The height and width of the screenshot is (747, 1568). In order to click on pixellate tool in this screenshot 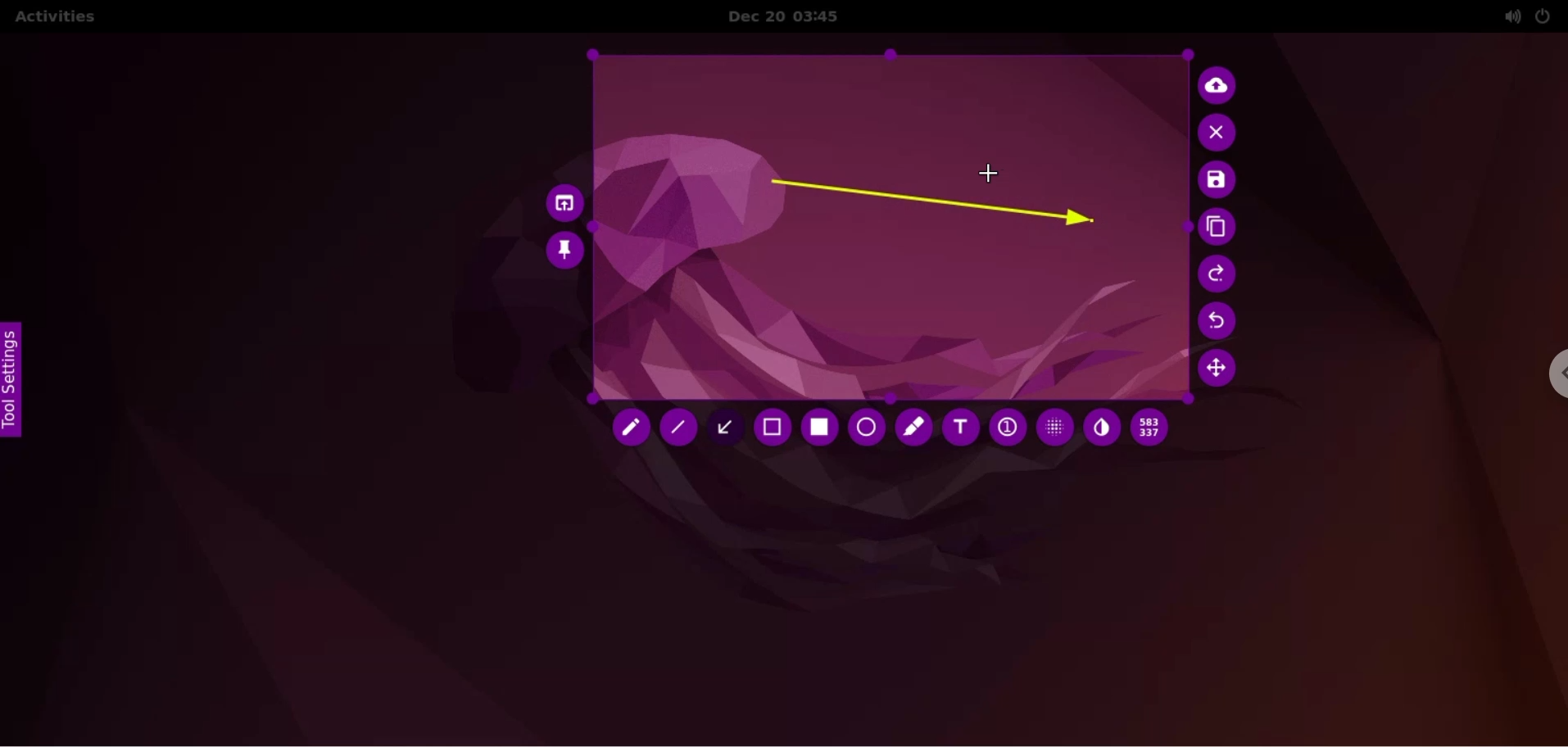, I will do `click(1050, 427)`.